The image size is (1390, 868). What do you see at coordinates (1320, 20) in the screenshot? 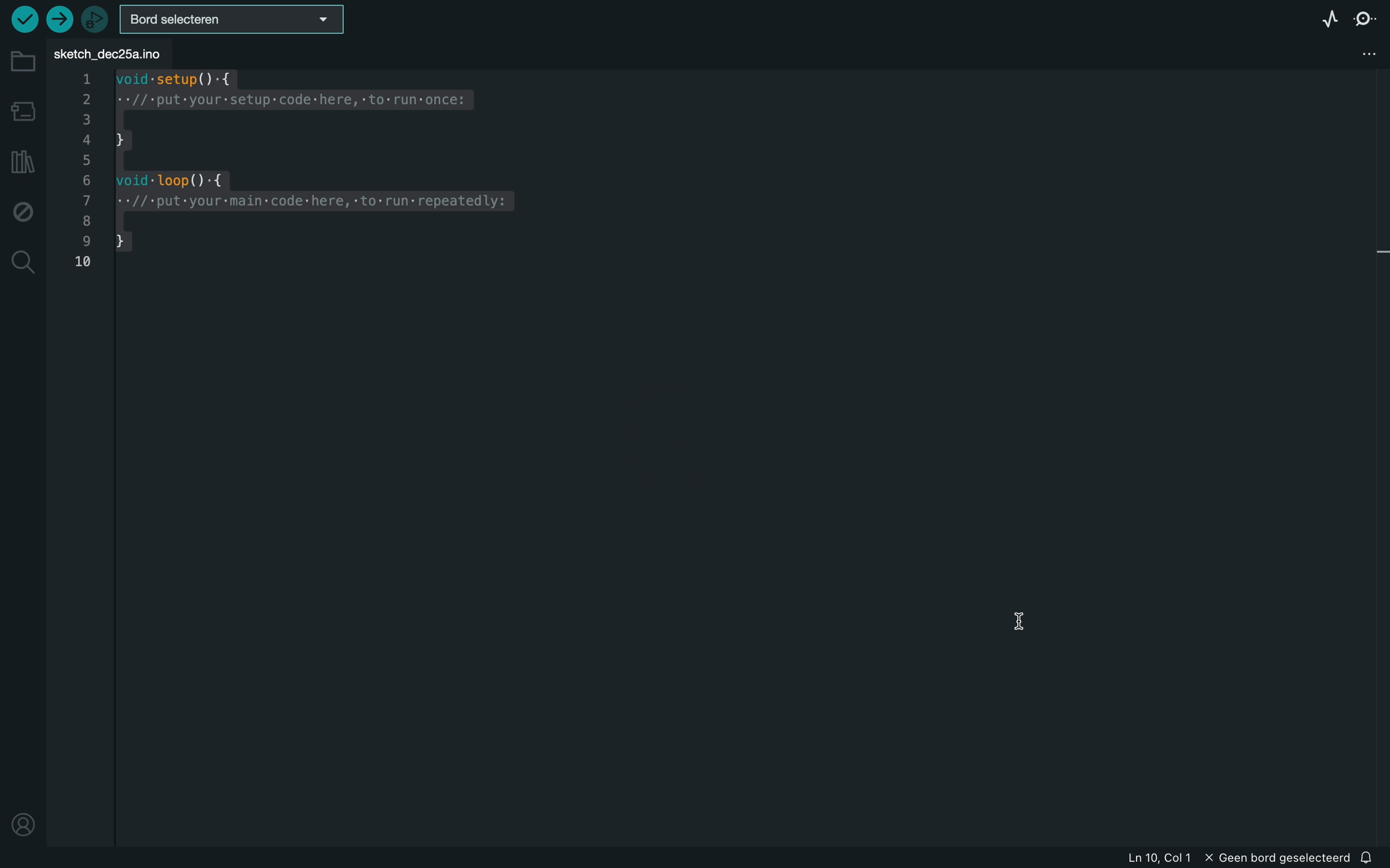
I see `serial plotter` at bounding box center [1320, 20].